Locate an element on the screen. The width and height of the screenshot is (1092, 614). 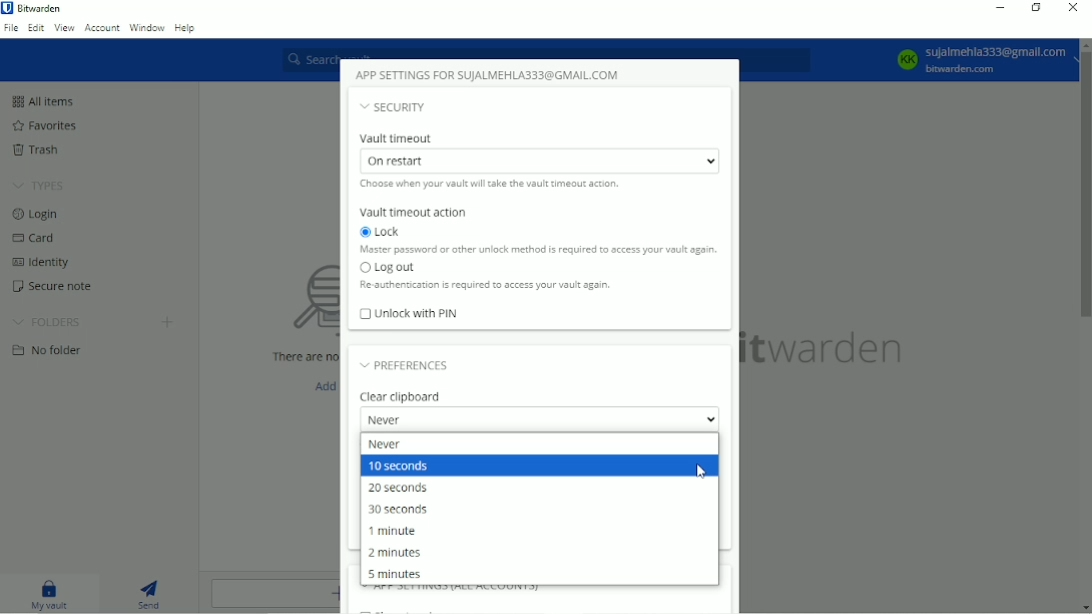
Minimize is located at coordinates (1001, 7).